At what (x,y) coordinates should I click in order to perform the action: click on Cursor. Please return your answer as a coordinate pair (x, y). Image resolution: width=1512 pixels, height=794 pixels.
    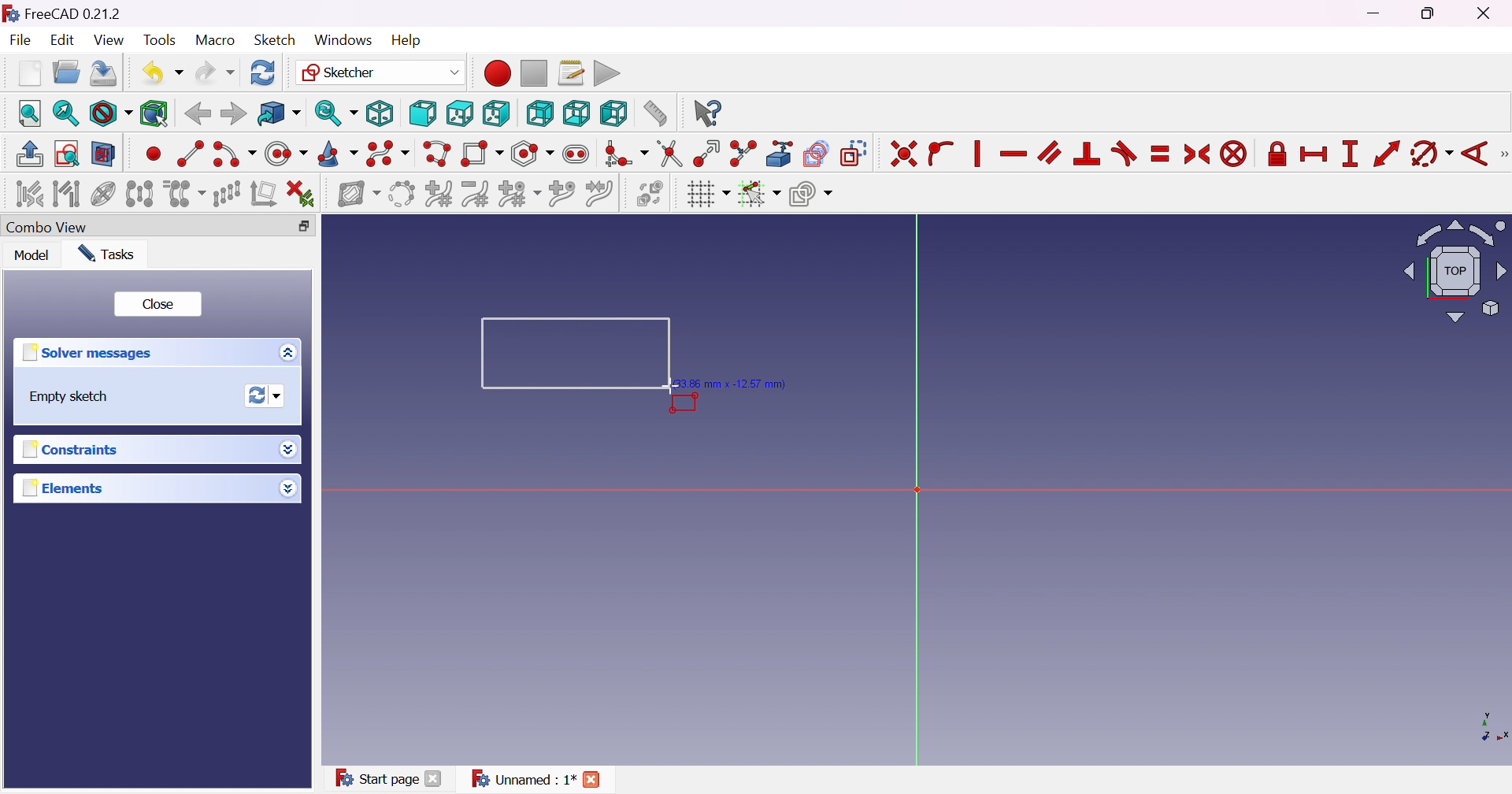
    Looking at the image, I should click on (669, 385).